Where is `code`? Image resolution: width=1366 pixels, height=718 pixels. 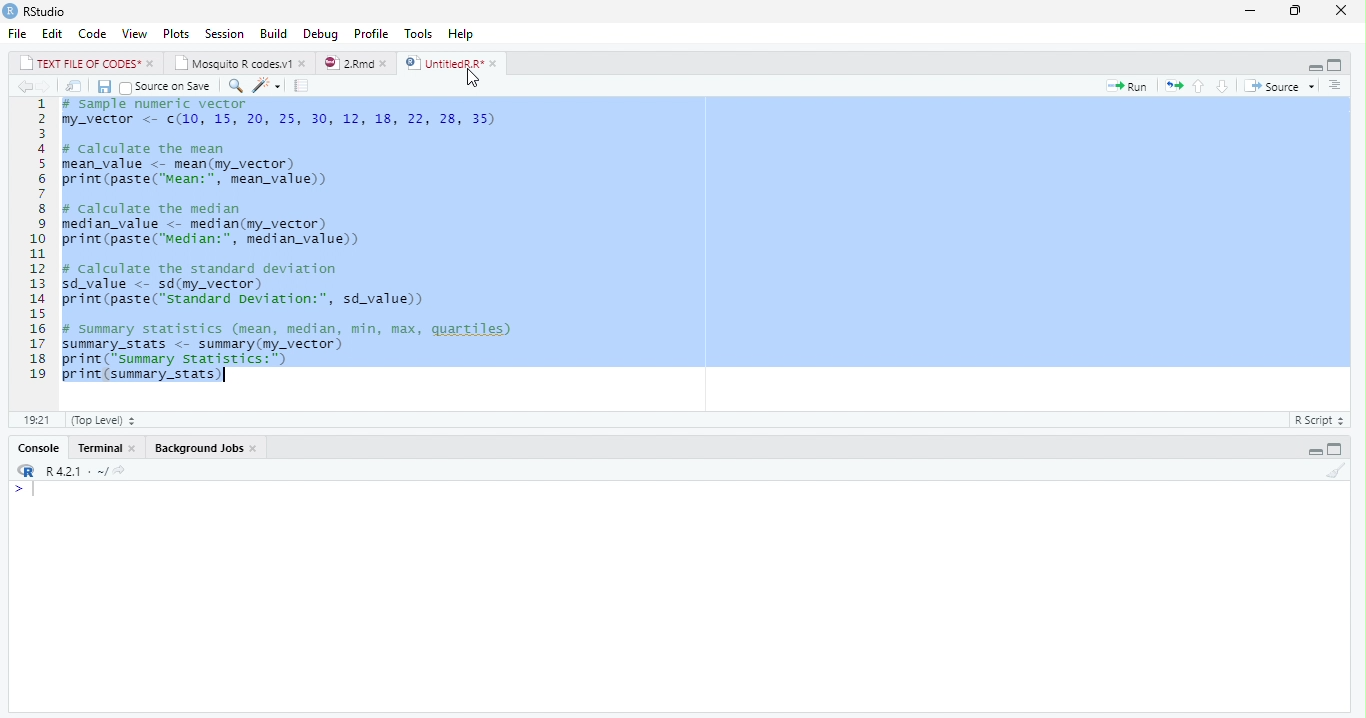 code is located at coordinates (93, 33).